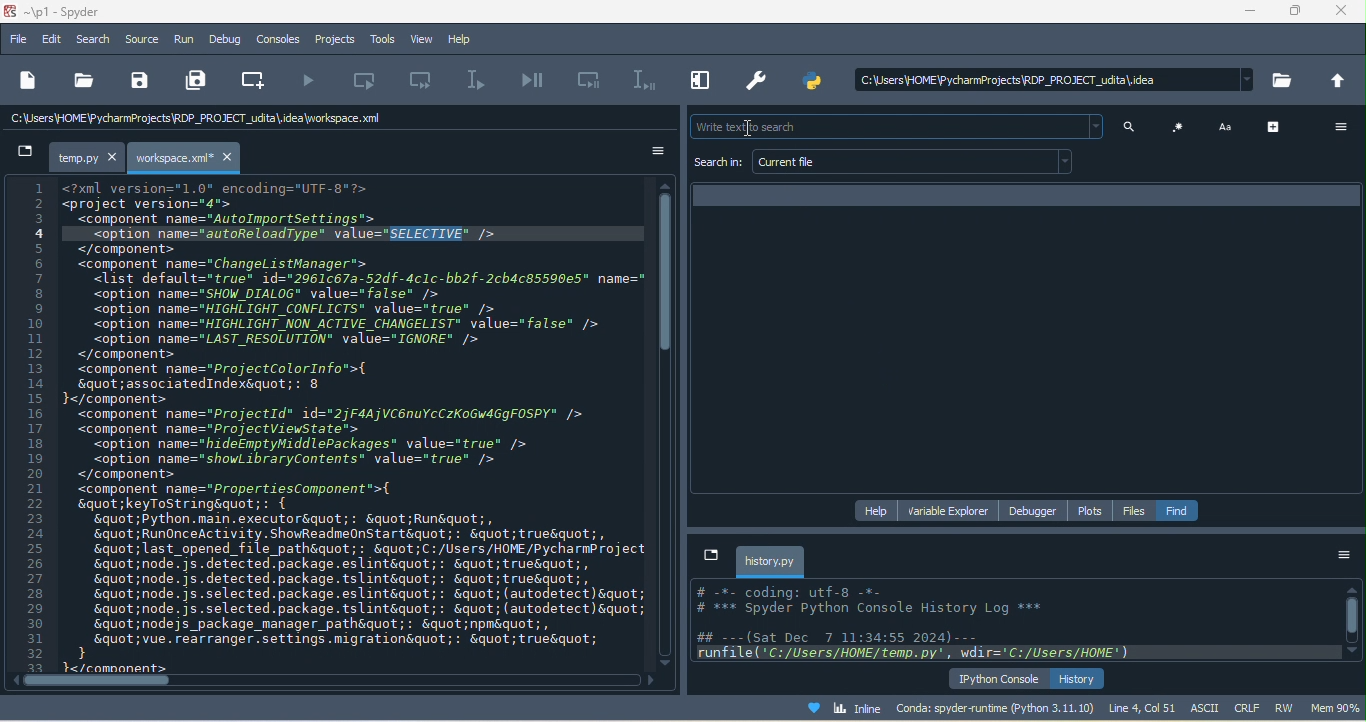 This screenshot has width=1366, height=722. Describe the element at coordinates (999, 678) in the screenshot. I see `ipython console` at that location.